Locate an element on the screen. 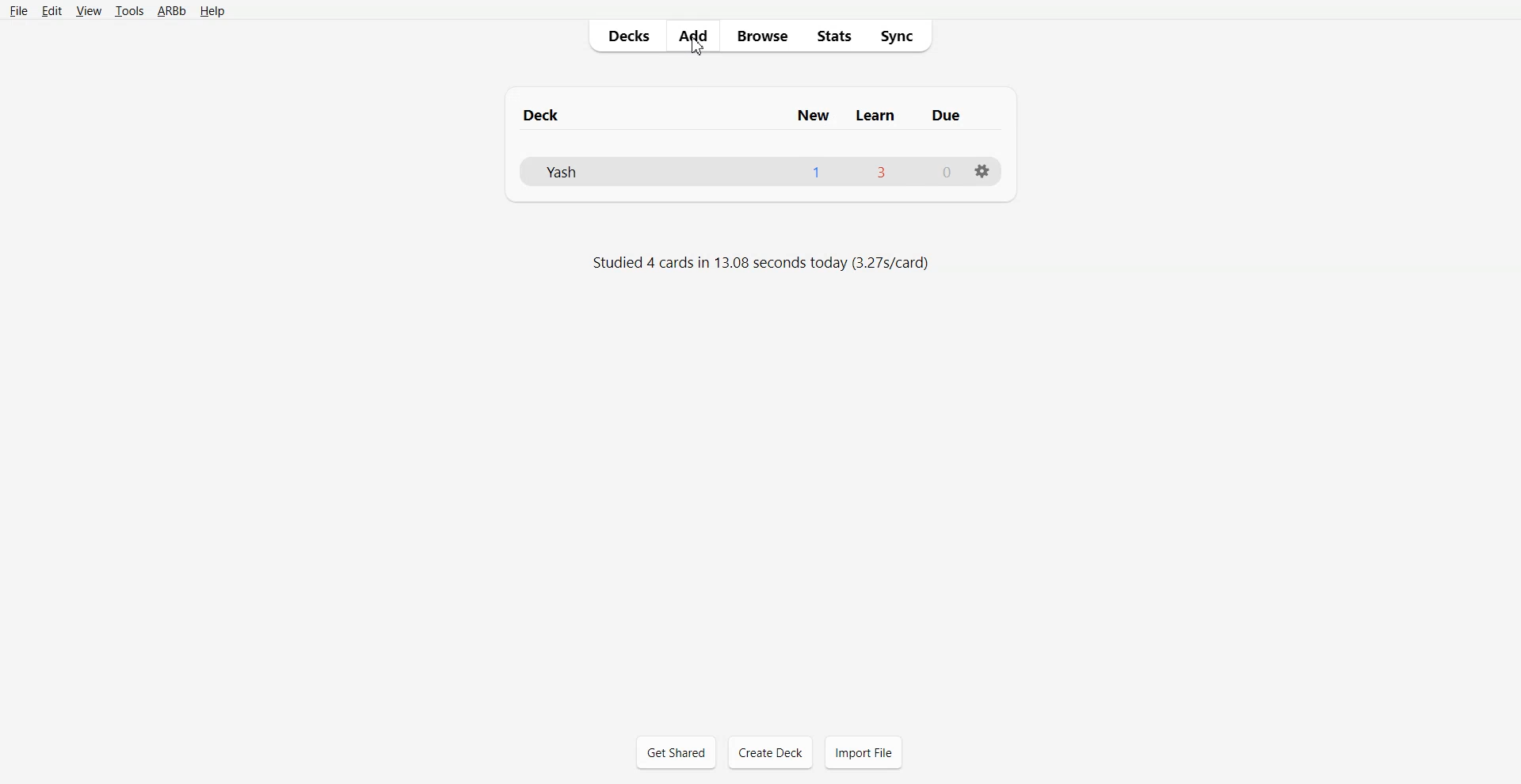 This screenshot has width=1521, height=784. Deck File  is located at coordinates (758, 170).